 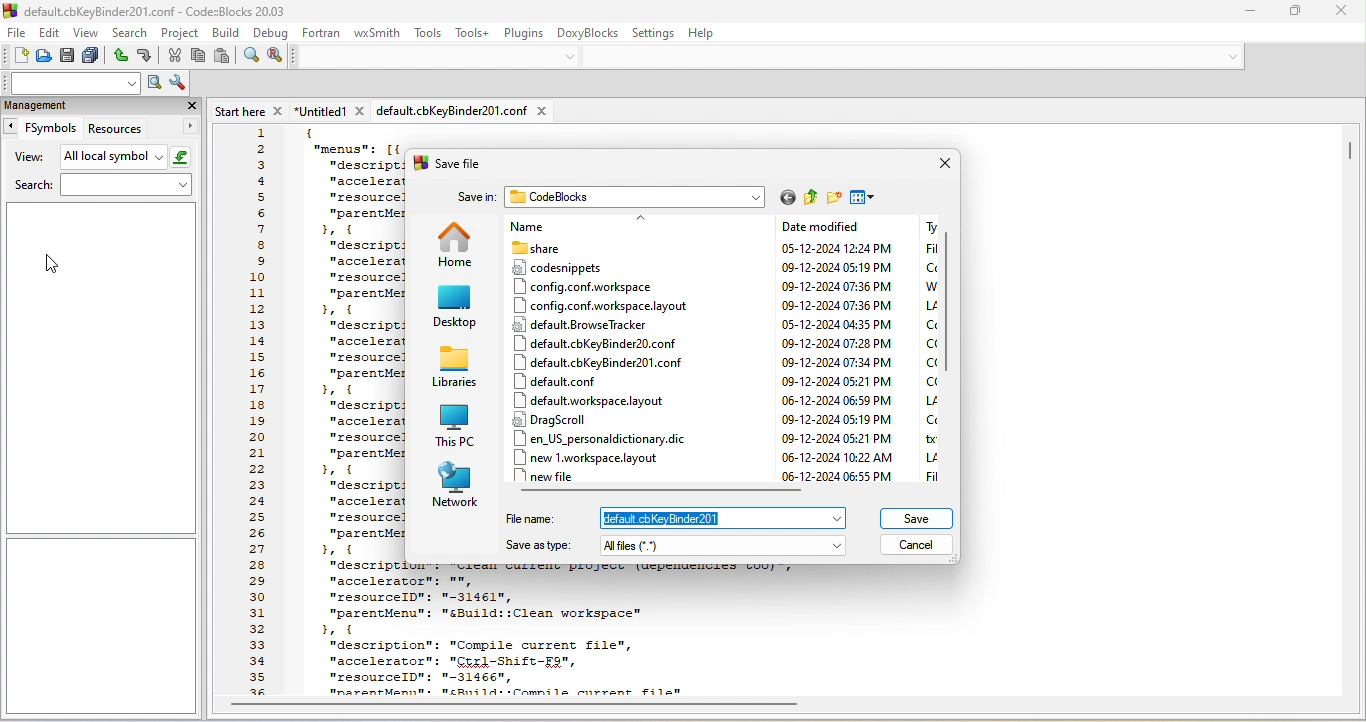 What do you see at coordinates (1296, 13) in the screenshot?
I see `minimize/restore` at bounding box center [1296, 13].